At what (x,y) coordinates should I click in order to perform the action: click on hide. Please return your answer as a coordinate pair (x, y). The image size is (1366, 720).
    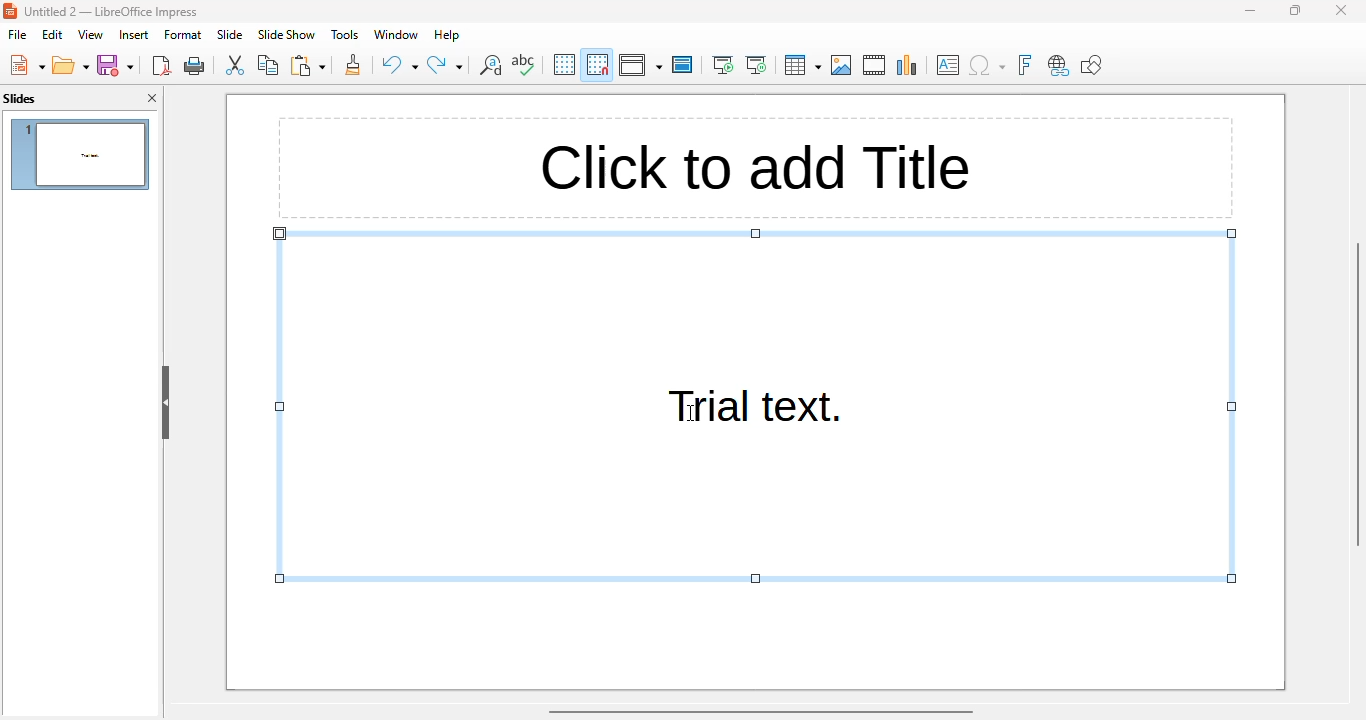
    Looking at the image, I should click on (165, 403).